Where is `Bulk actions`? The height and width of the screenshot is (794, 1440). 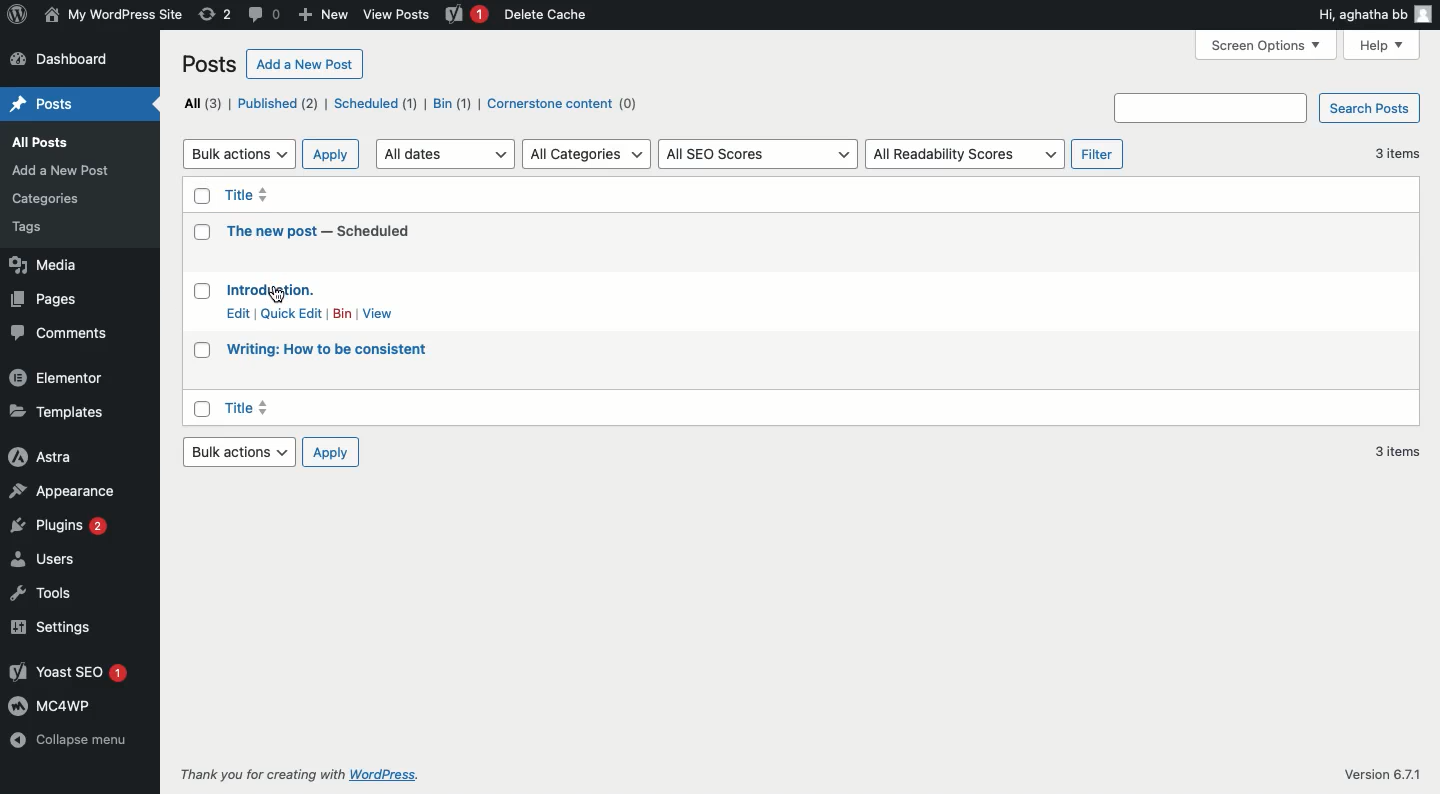 Bulk actions is located at coordinates (238, 155).